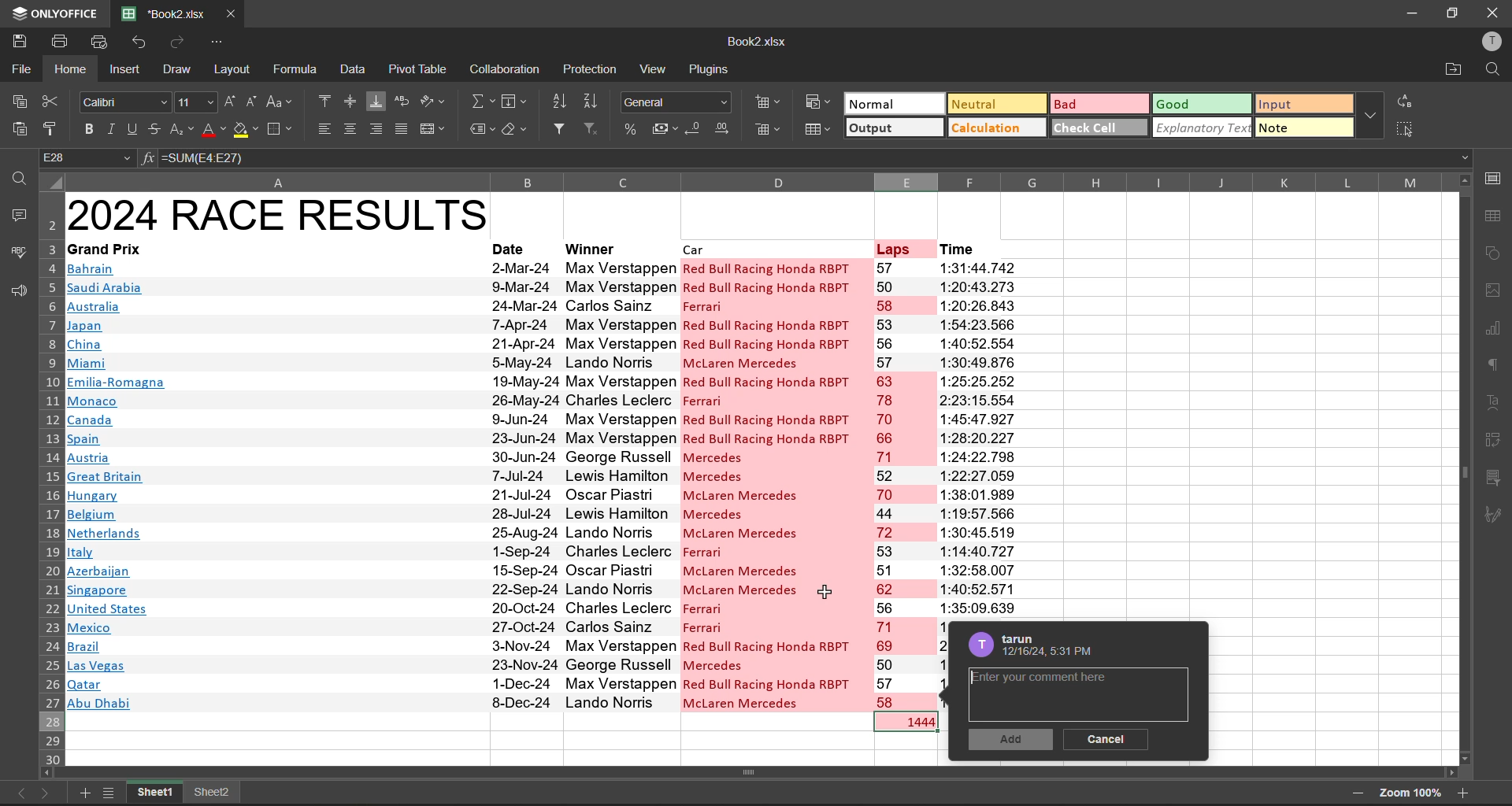  What do you see at coordinates (523, 484) in the screenshot?
I see `date` at bounding box center [523, 484].